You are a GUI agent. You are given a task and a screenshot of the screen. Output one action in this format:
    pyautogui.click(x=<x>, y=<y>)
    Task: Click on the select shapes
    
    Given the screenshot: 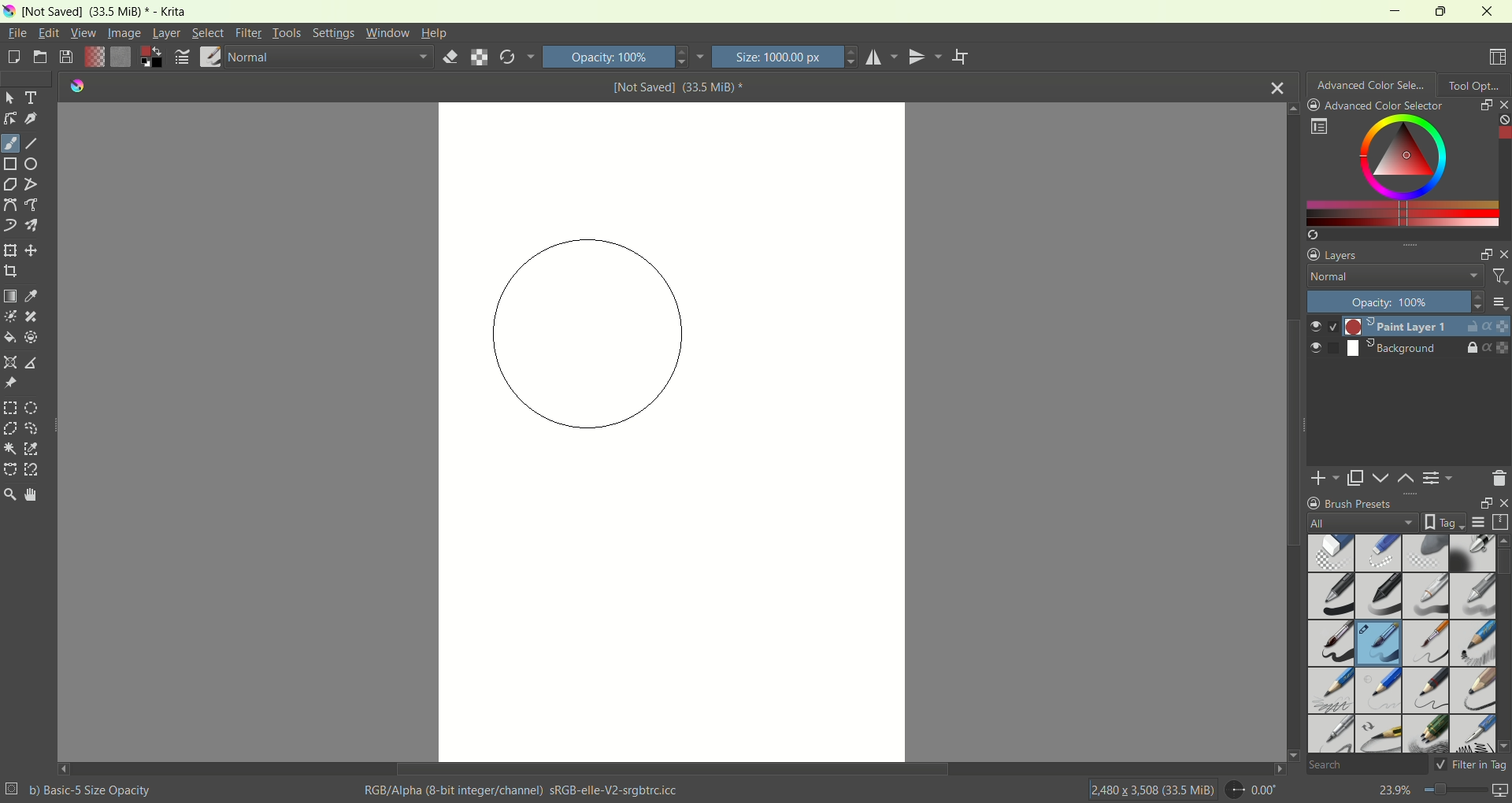 What is the action you would take?
    pyautogui.click(x=10, y=98)
    